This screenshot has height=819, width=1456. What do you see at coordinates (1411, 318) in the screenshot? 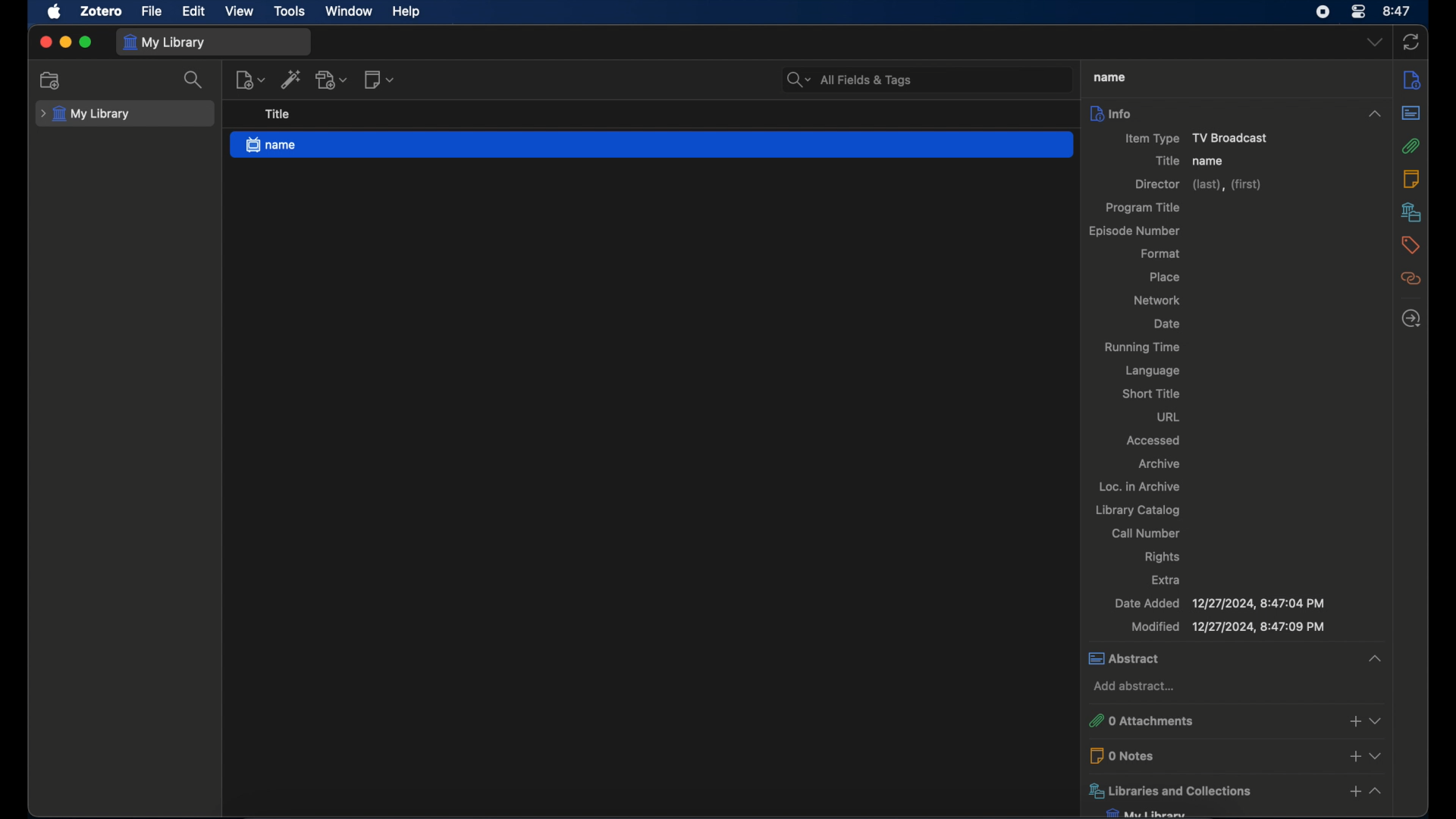
I see `locate` at bounding box center [1411, 318].